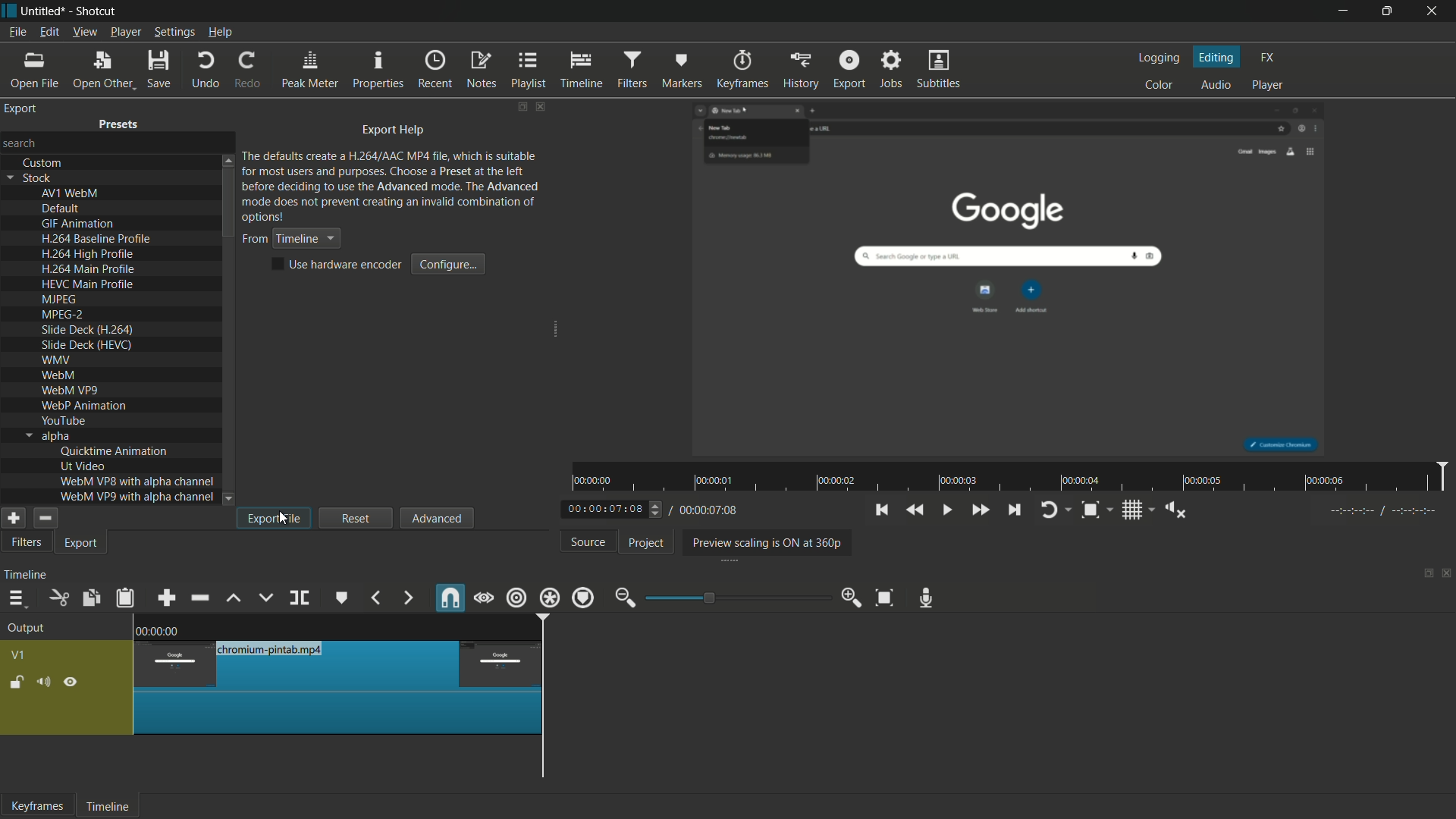 This screenshot has height=819, width=1456. What do you see at coordinates (914, 509) in the screenshot?
I see `quickly play backward` at bounding box center [914, 509].